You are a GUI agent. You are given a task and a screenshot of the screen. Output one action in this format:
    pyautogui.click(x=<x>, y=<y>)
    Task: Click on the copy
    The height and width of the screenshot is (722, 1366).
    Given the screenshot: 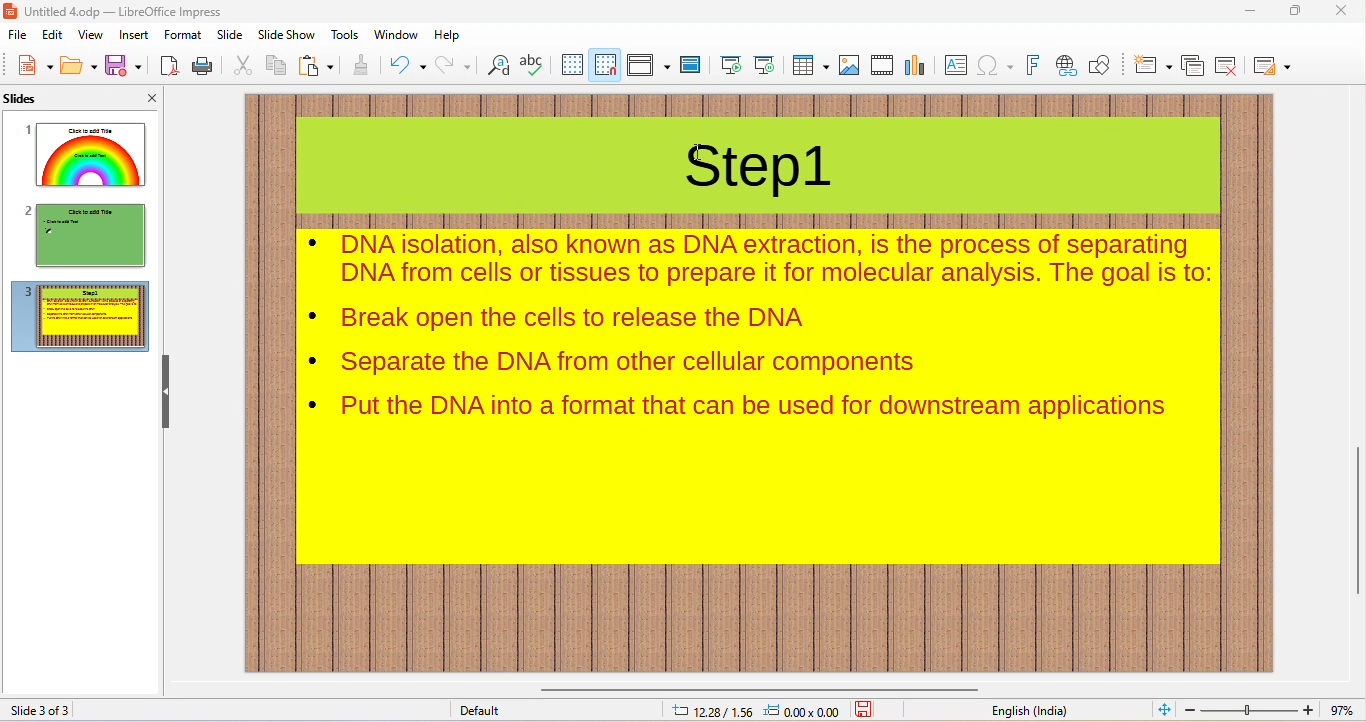 What is the action you would take?
    pyautogui.click(x=274, y=66)
    